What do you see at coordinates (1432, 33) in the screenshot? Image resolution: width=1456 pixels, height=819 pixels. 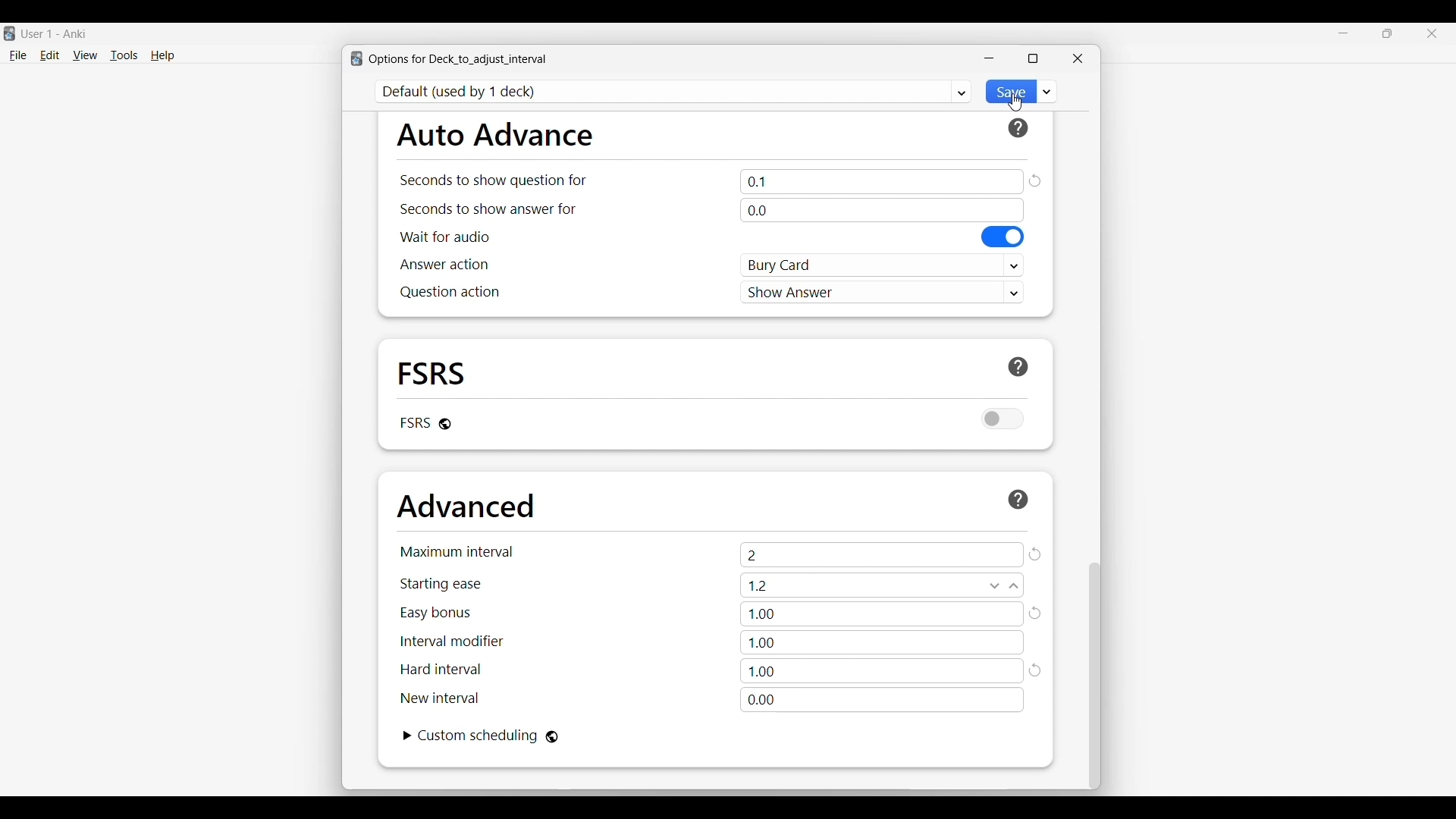 I see `Close interface` at bounding box center [1432, 33].